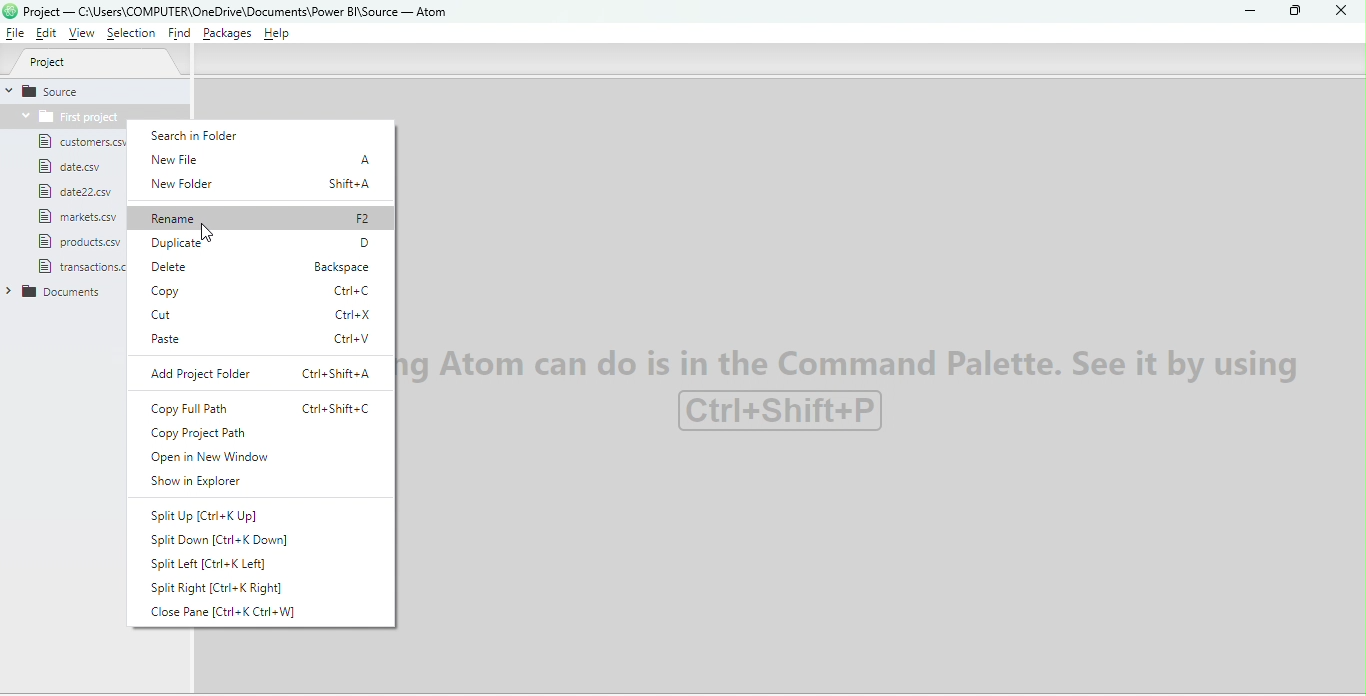  I want to click on Packages, so click(225, 35).